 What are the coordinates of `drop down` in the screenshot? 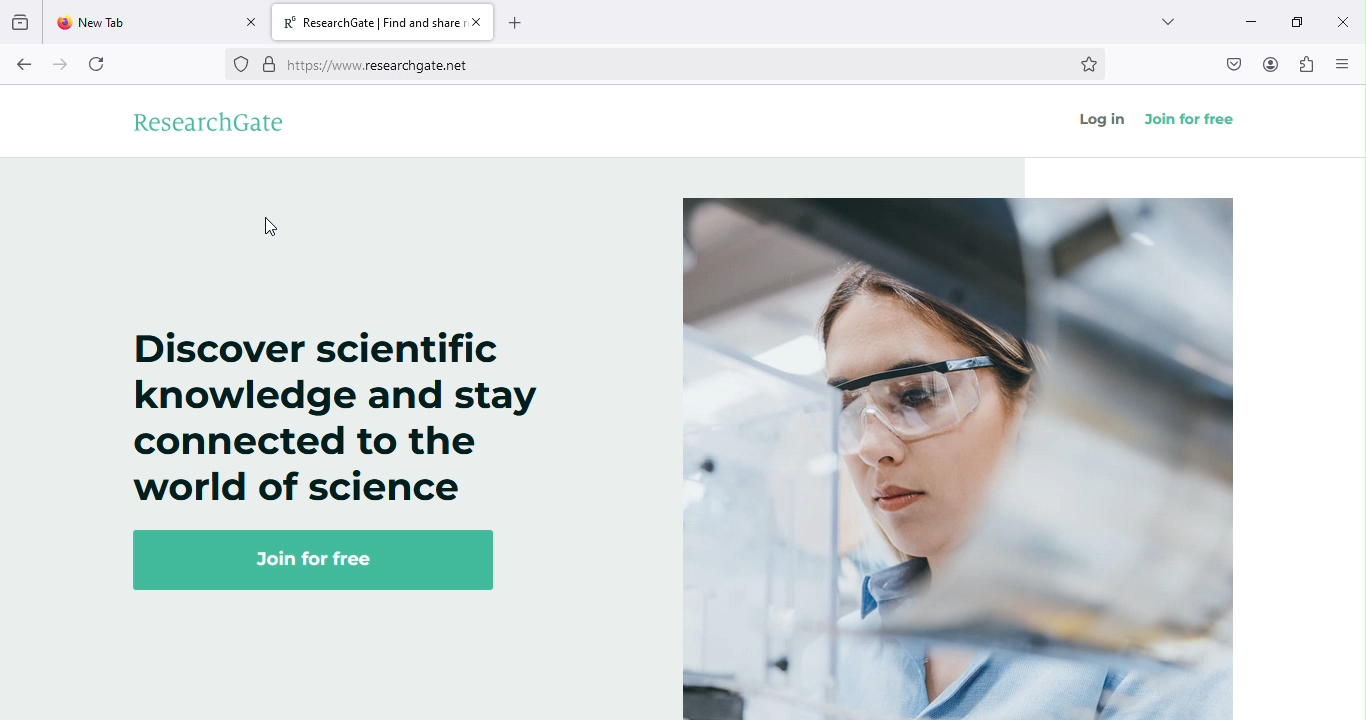 It's located at (1165, 23).